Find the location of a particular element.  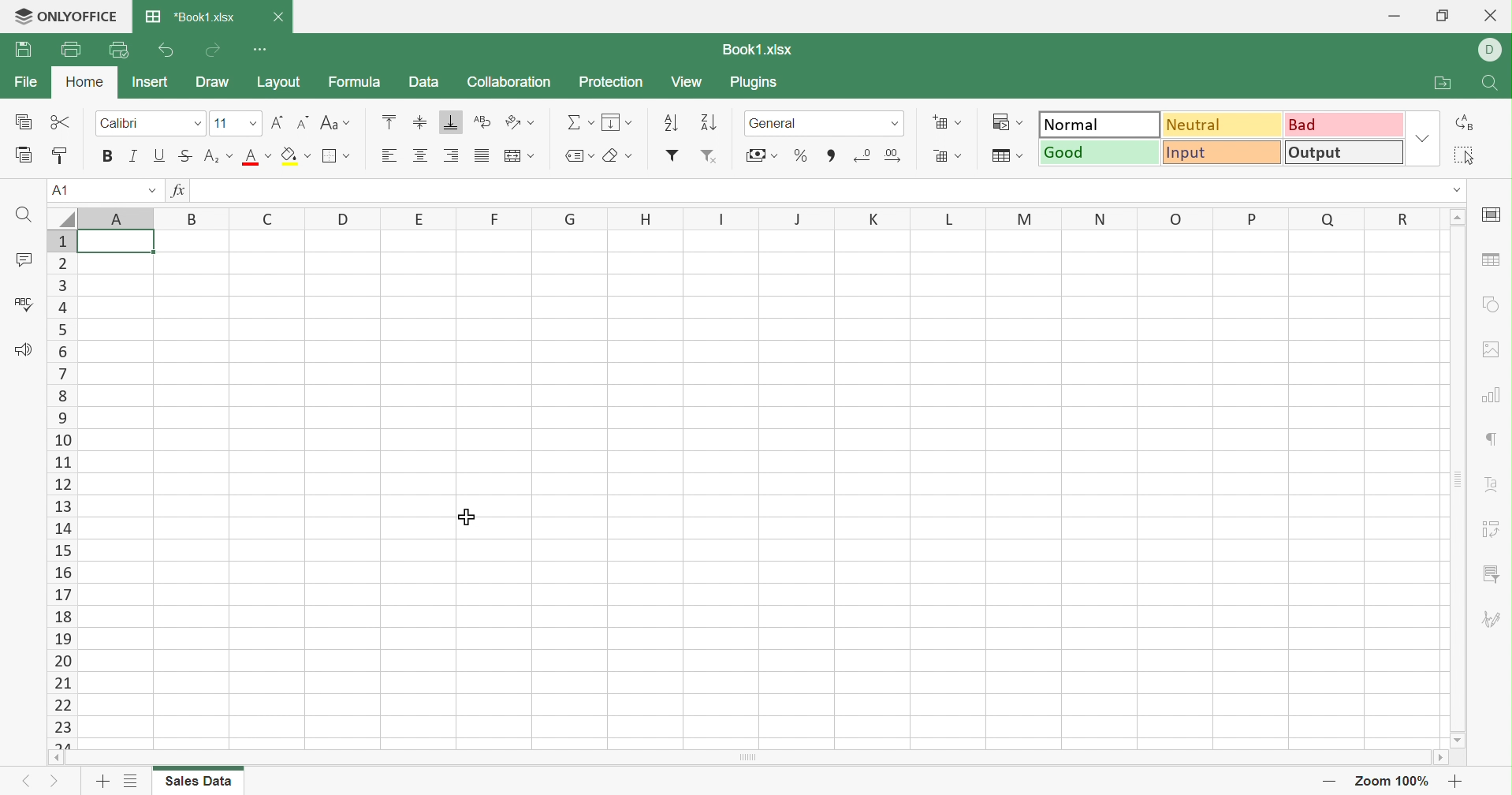

Zoom 100% is located at coordinates (1389, 779).